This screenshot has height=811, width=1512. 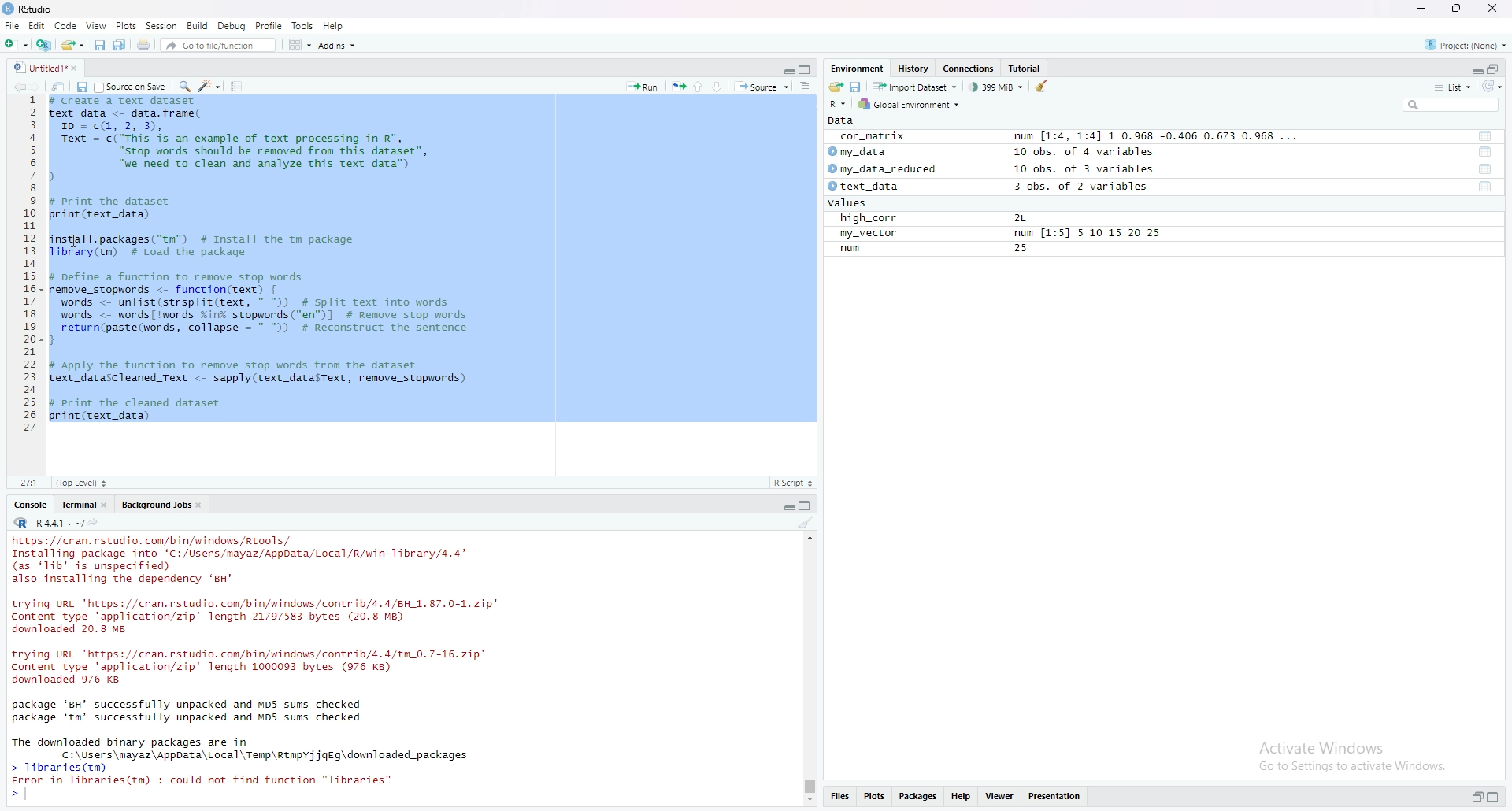 I want to click on functions, so click(x=1486, y=187).